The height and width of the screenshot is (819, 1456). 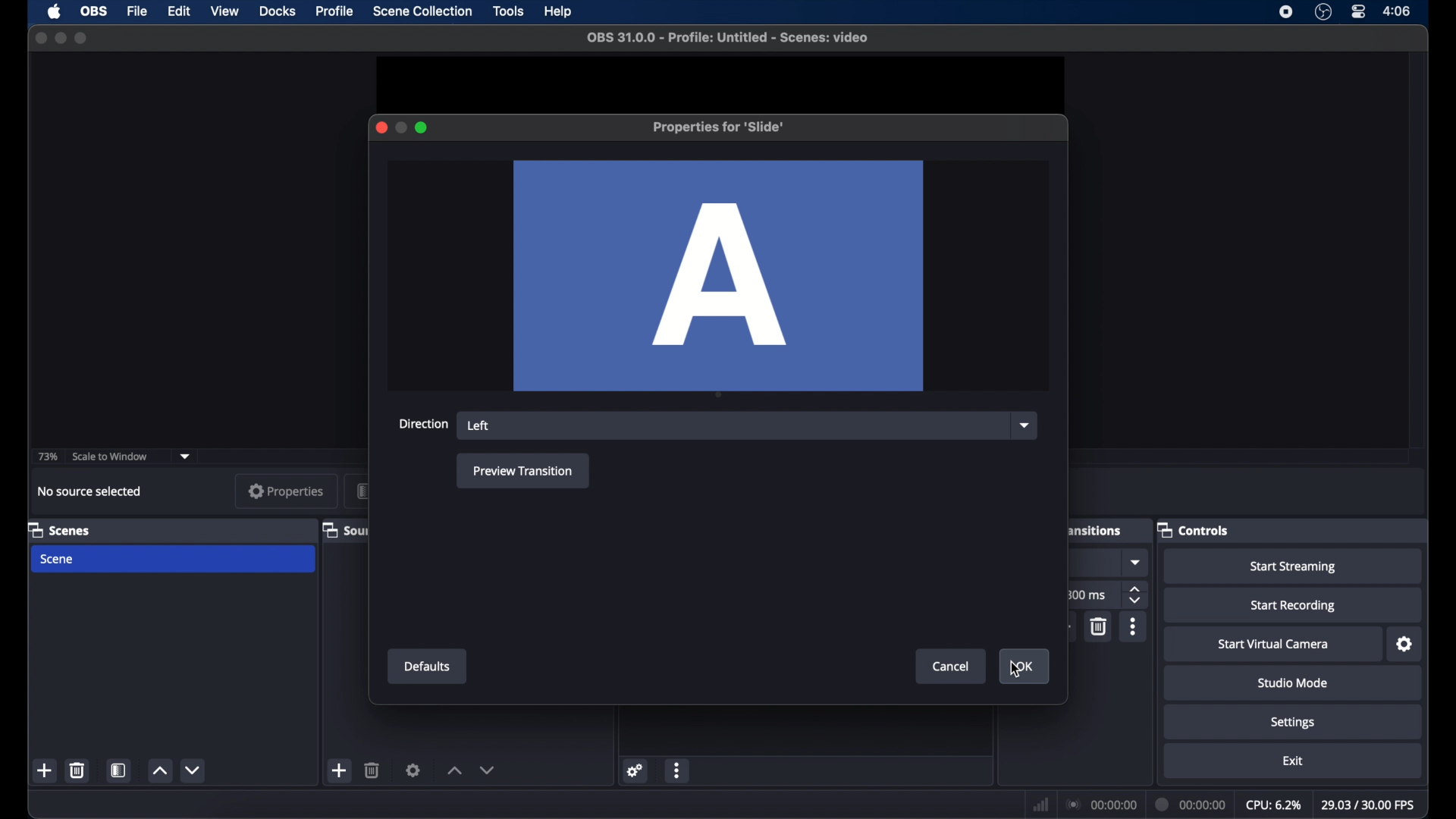 I want to click on scene collection, so click(x=422, y=11).